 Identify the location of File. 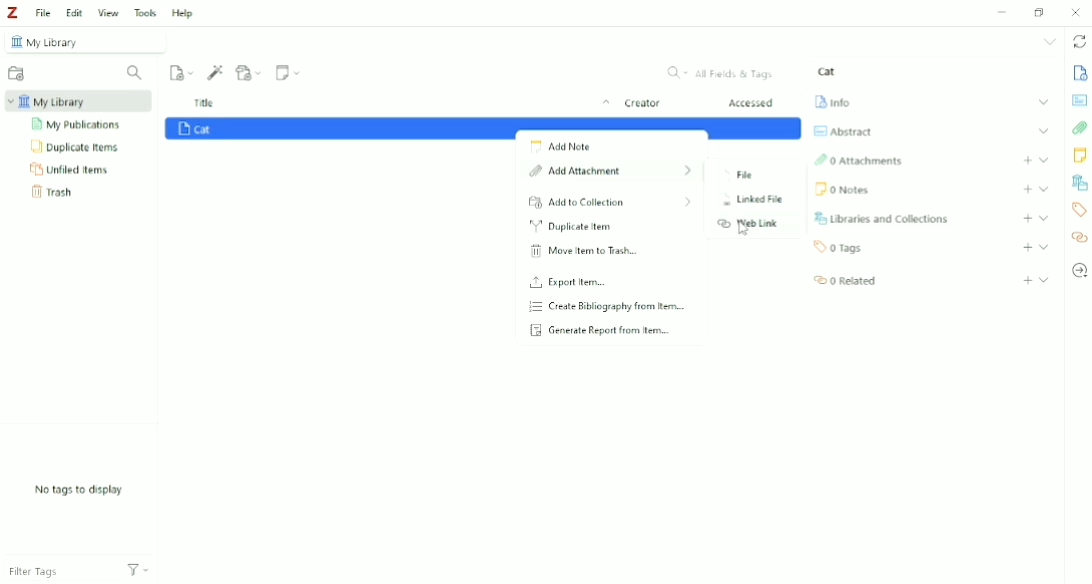
(739, 176).